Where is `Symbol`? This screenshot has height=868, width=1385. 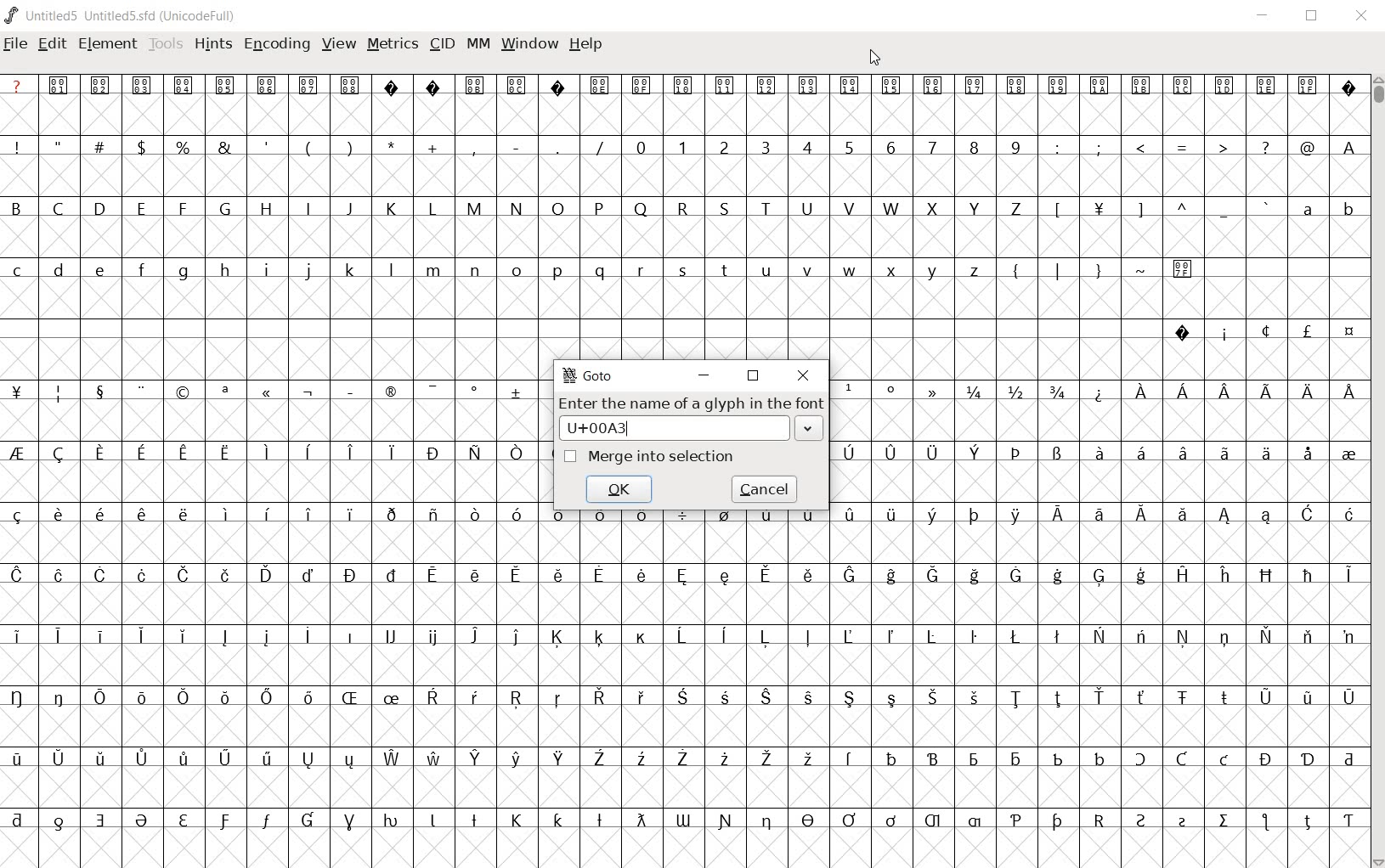
Symbol is located at coordinates (599, 759).